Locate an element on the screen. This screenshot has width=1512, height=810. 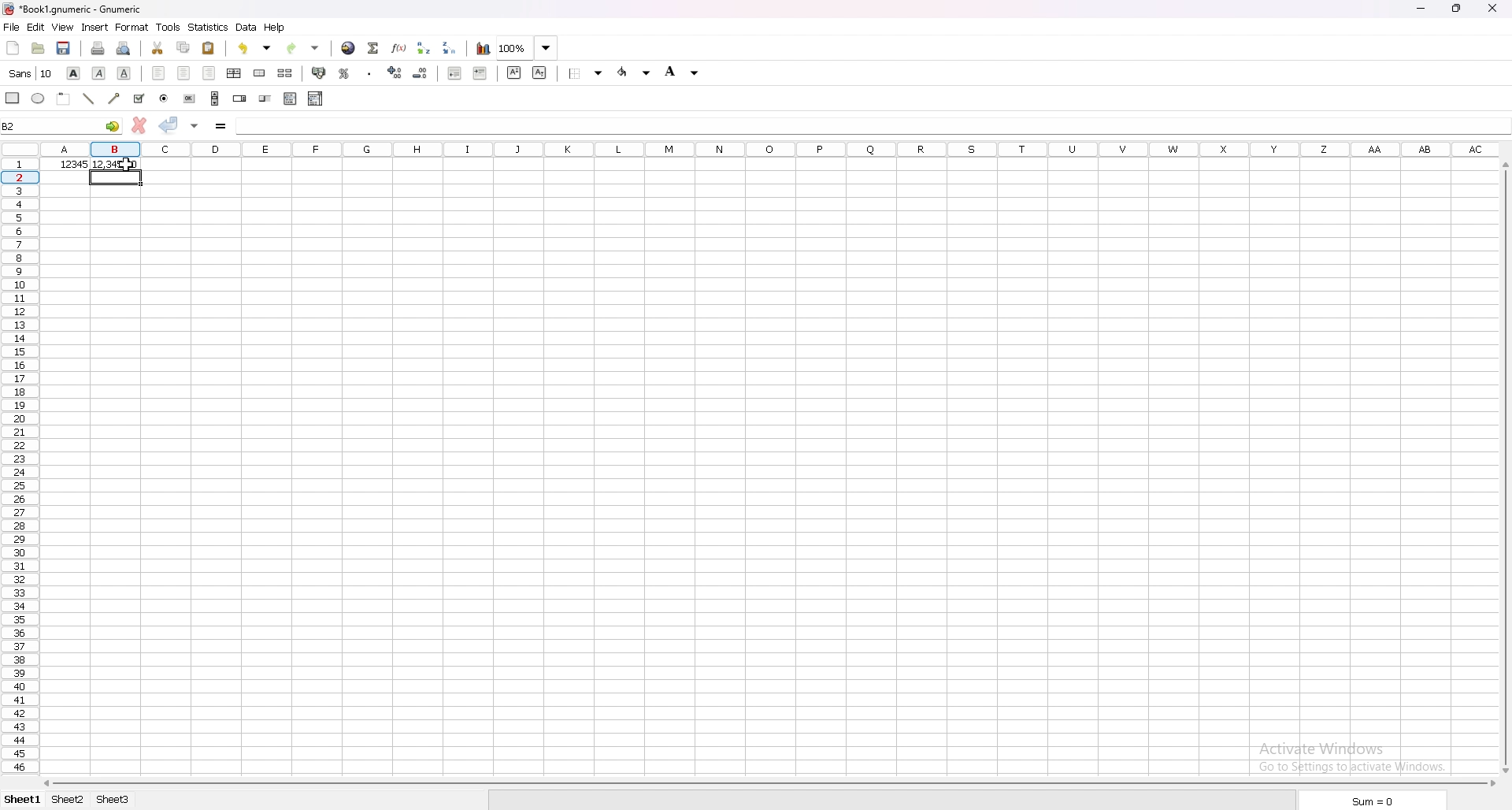
subscript is located at coordinates (539, 72).